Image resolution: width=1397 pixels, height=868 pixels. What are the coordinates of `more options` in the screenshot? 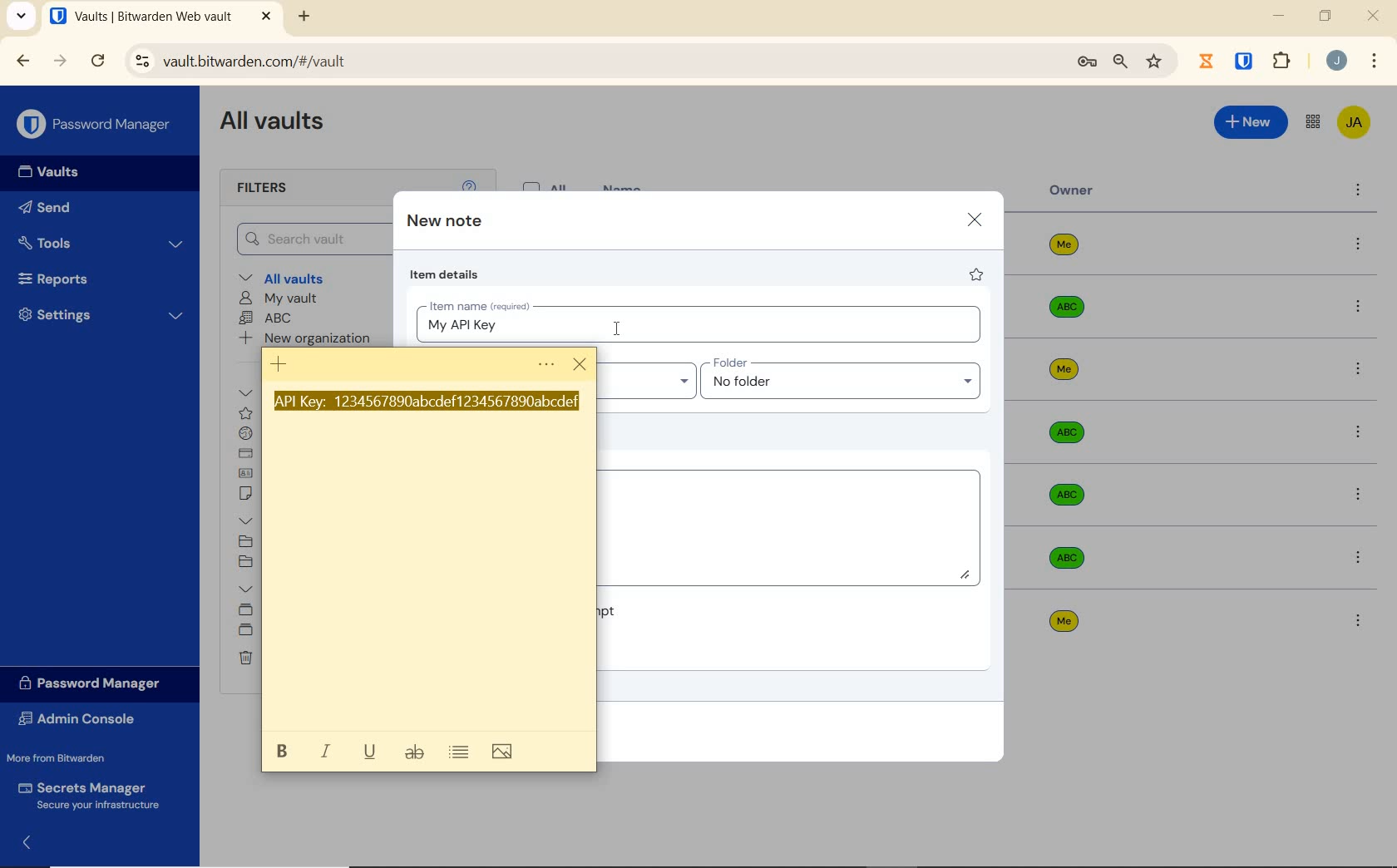 It's located at (1359, 245).